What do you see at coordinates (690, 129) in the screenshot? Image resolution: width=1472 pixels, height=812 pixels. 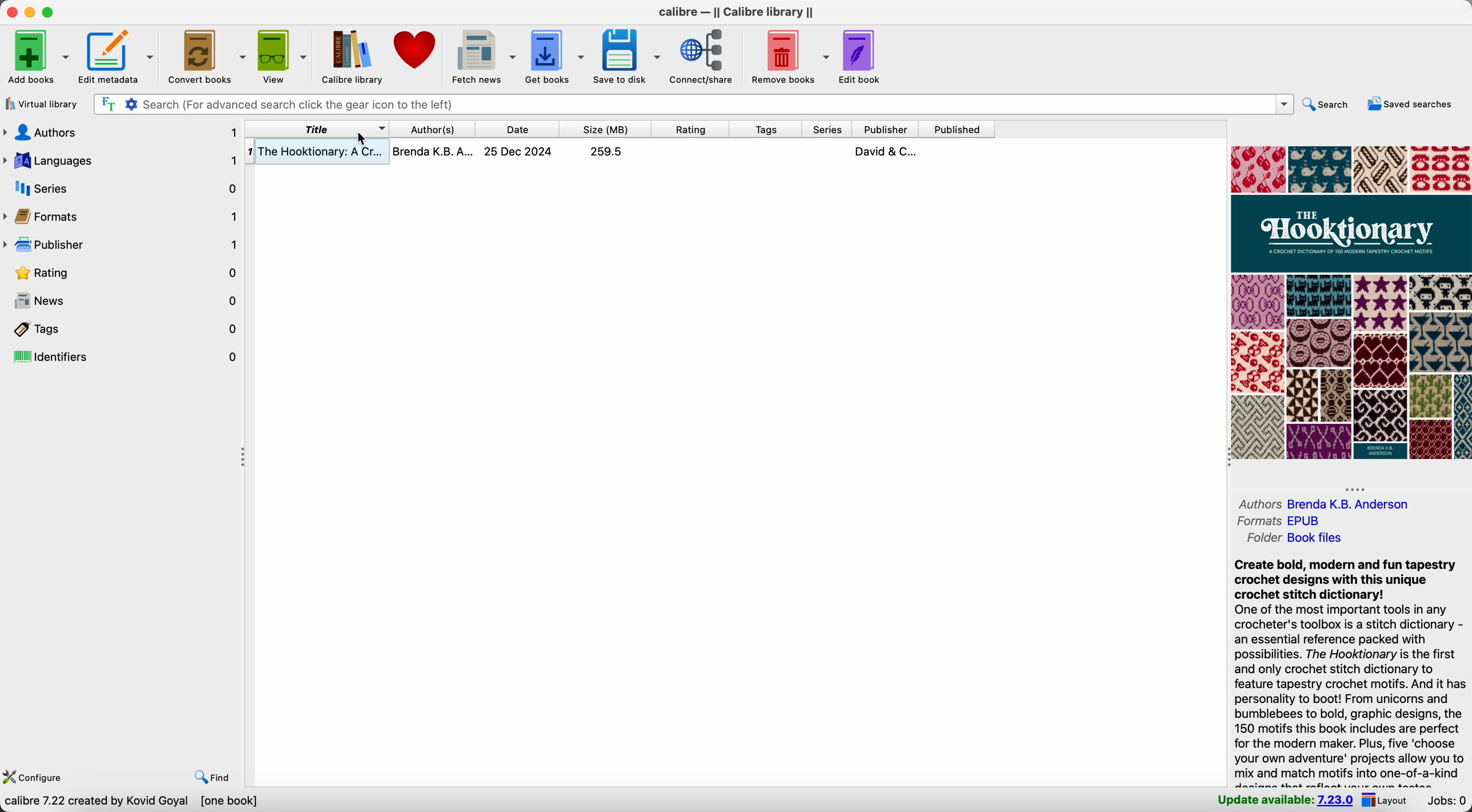 I see `rating` at bounding box center [690, 129].